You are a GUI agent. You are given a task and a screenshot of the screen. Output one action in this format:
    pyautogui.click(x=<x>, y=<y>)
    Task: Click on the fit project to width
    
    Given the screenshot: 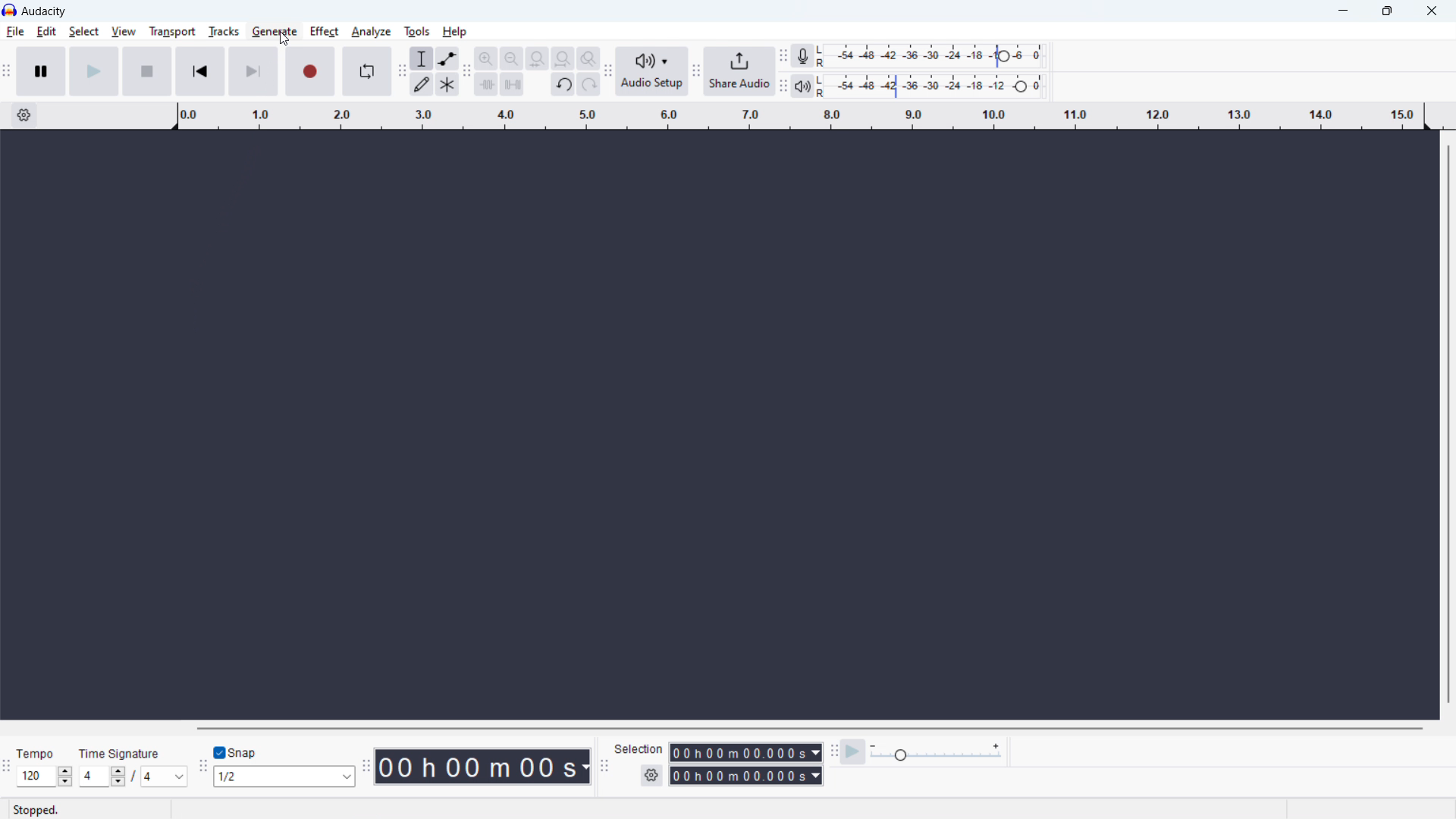 What is the action you would take?
    pyautogui.click(x=563, y=58)
    